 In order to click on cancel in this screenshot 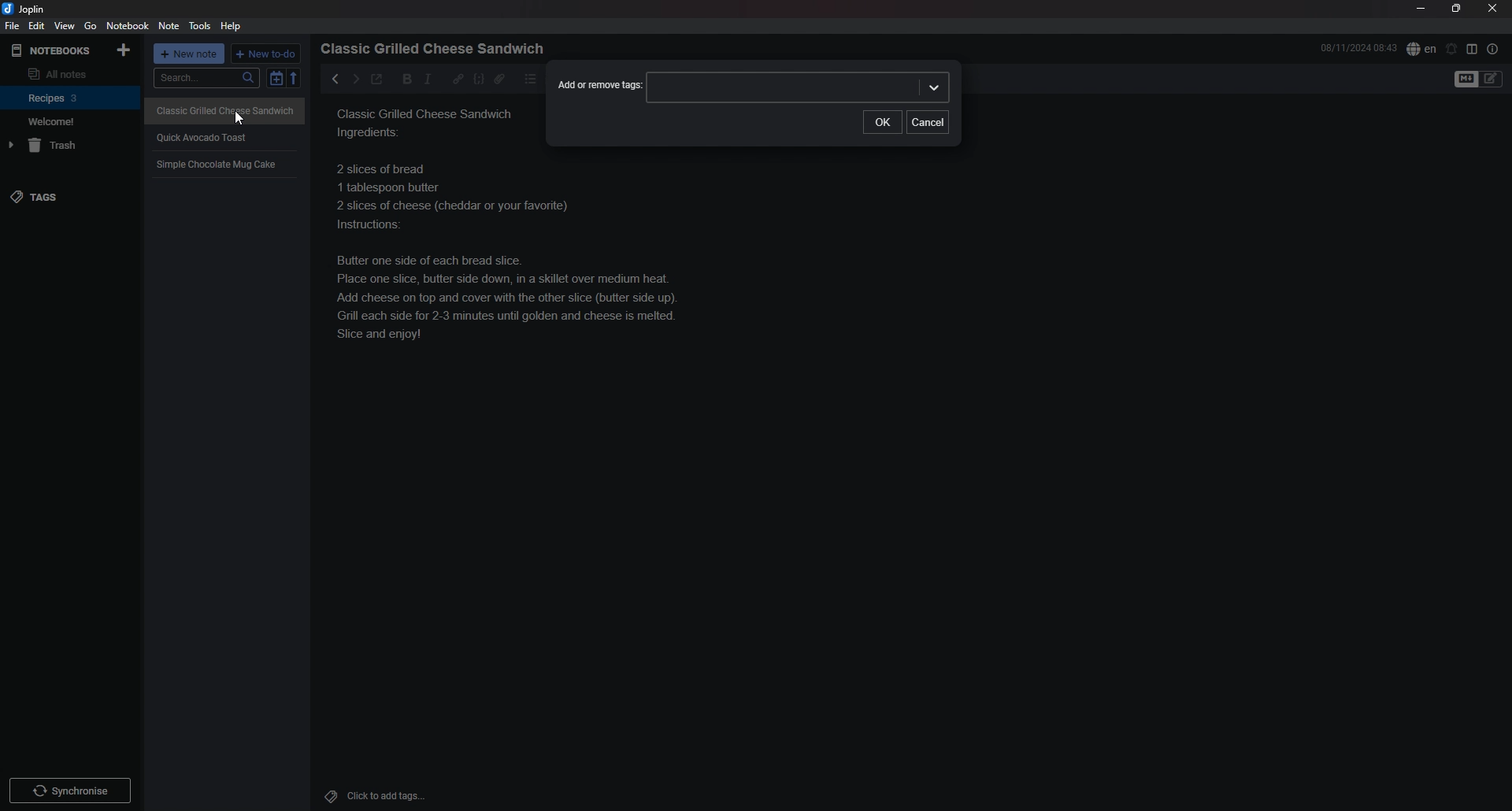, I will do `click(928, 121)`.